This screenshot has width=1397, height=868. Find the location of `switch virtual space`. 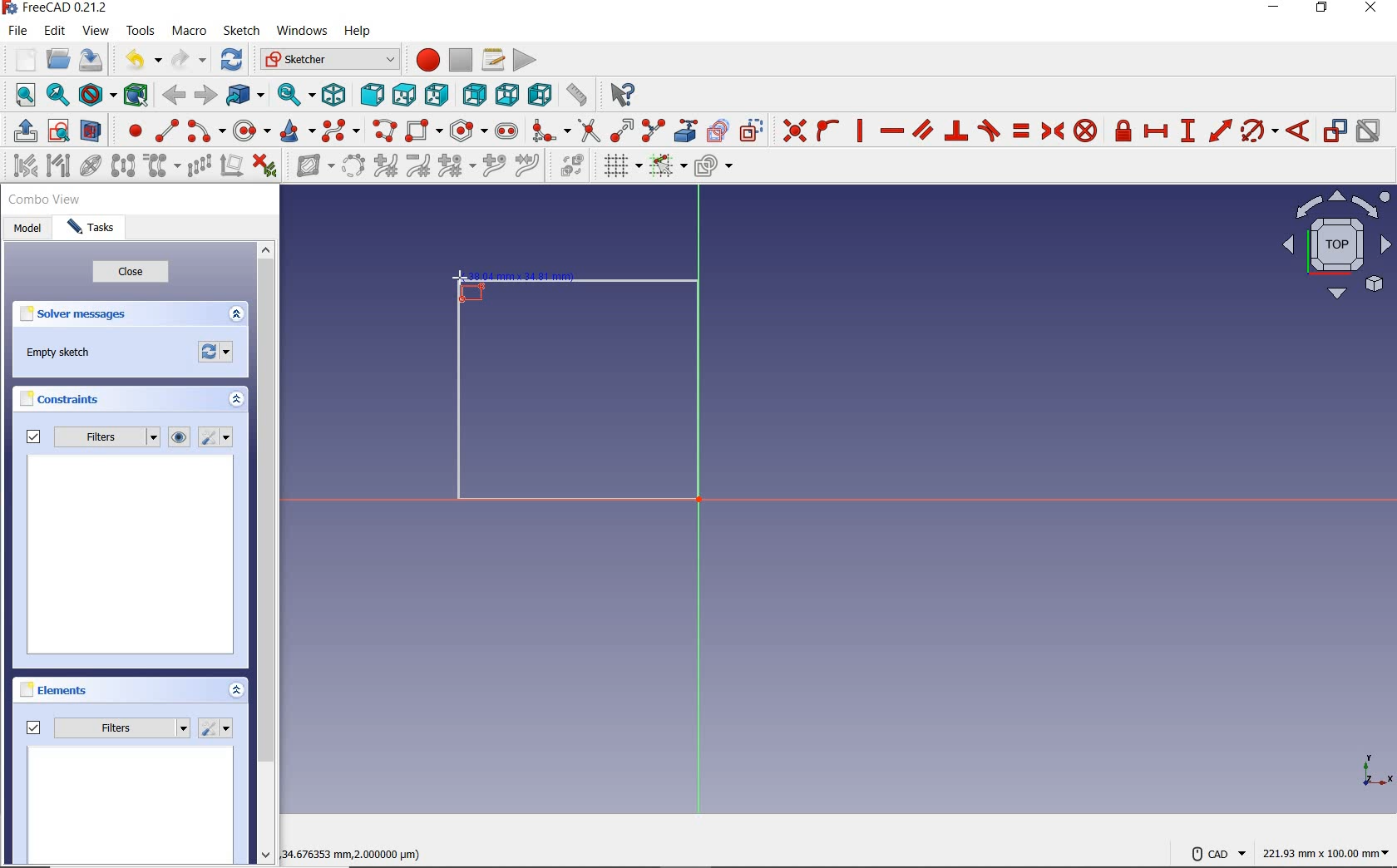

switch virtual space is located at coordinates (569, 169).